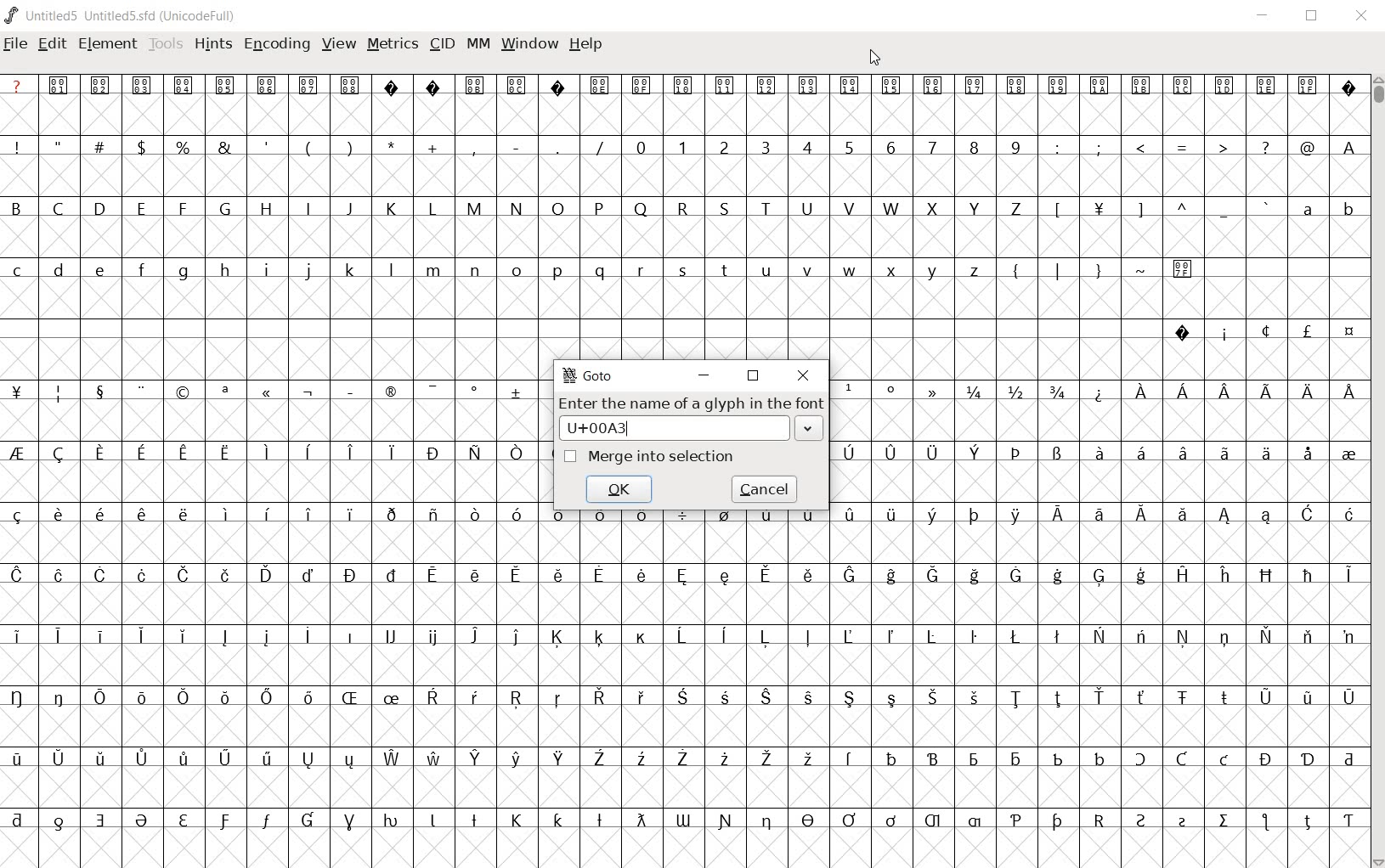  Describe the element at coordinates (1098, 516) in the screenshot. I see `Symbol` at that location.